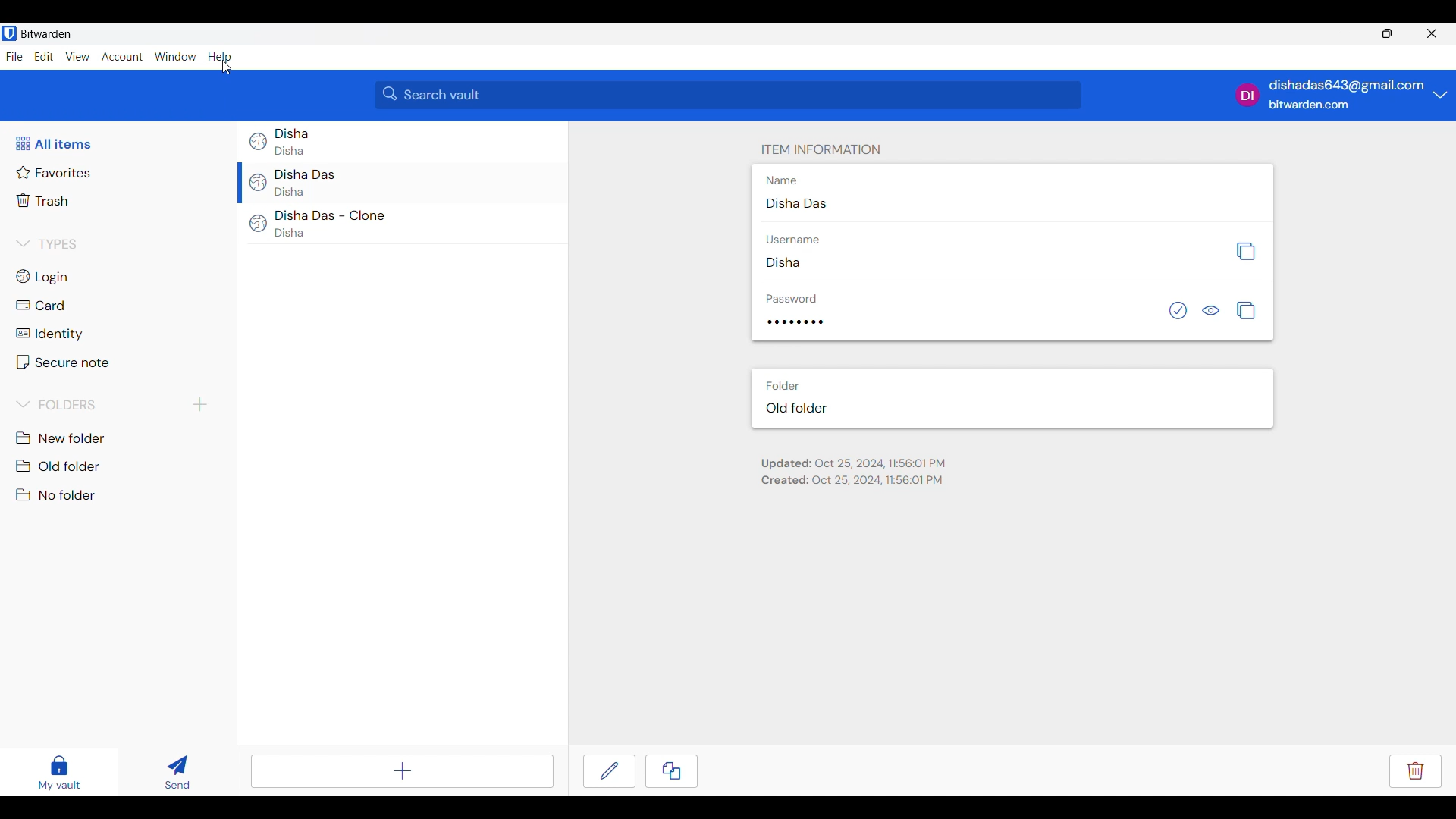  I want to click on Item information, so click(821, 149).